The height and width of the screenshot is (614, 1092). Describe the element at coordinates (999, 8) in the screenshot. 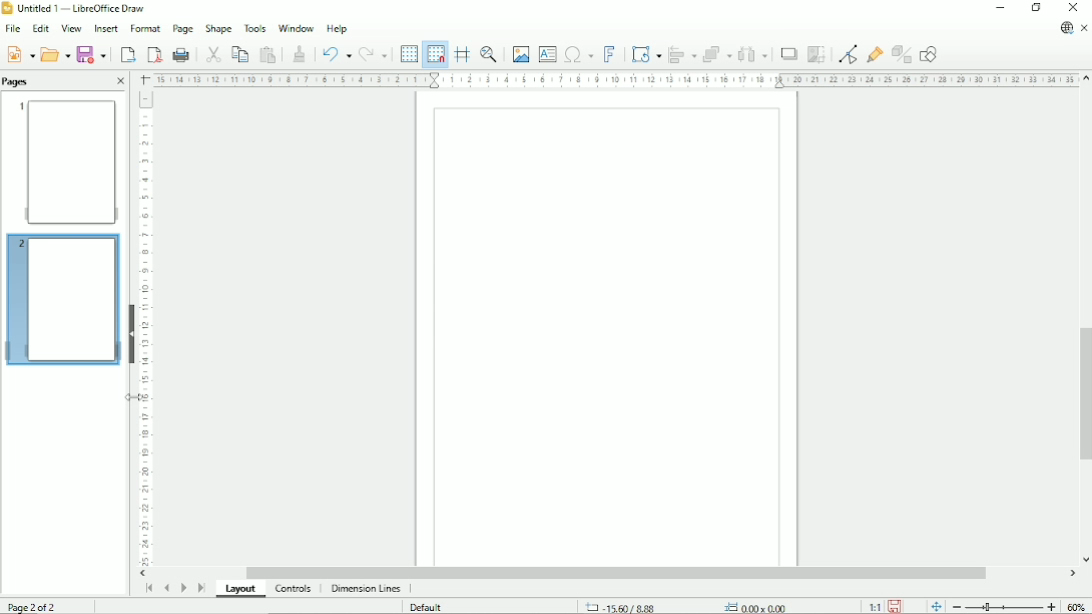

I see `Minimize` at that location.